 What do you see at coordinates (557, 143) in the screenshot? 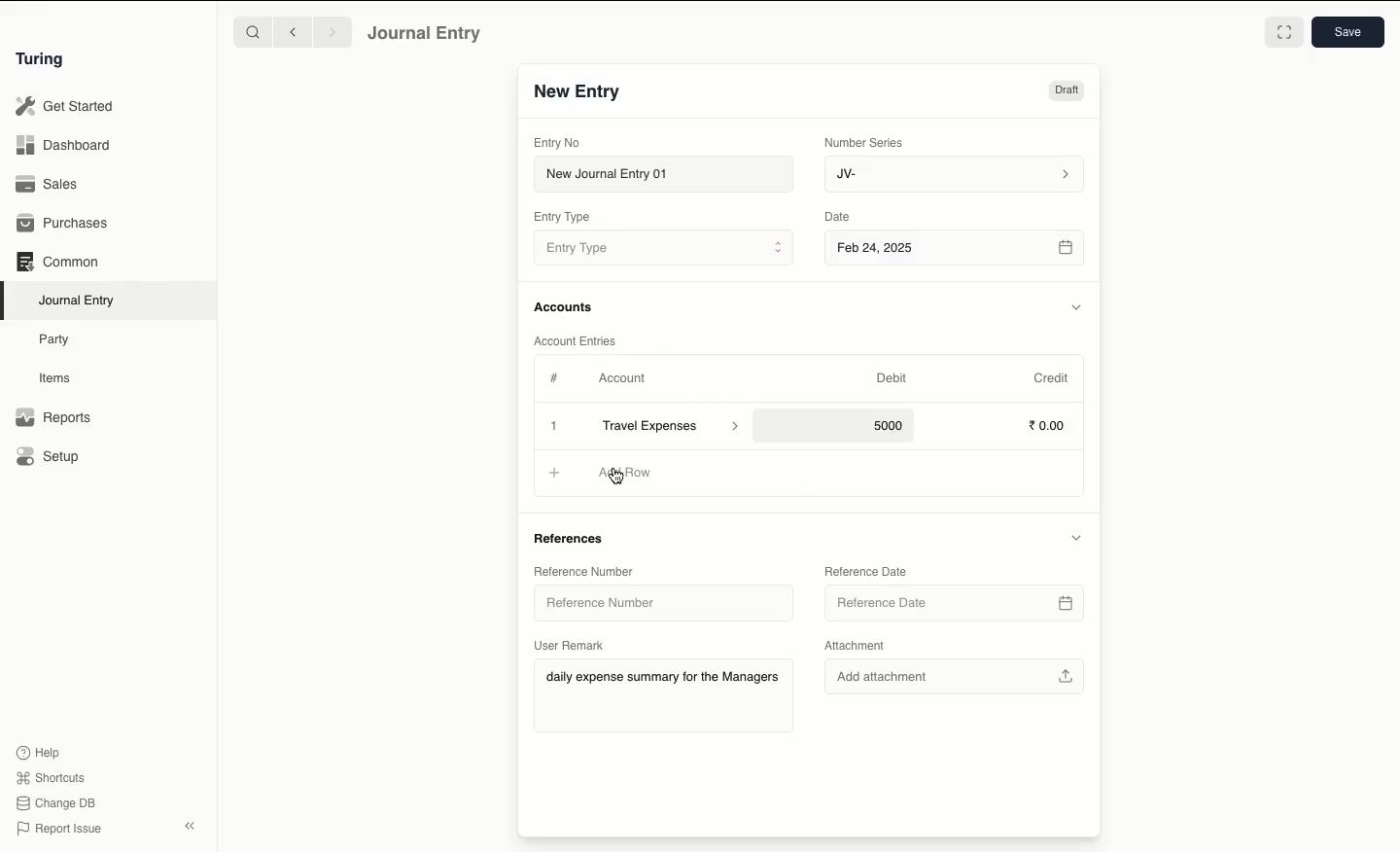
I see `Entry No` at bounding box center [557, 143].